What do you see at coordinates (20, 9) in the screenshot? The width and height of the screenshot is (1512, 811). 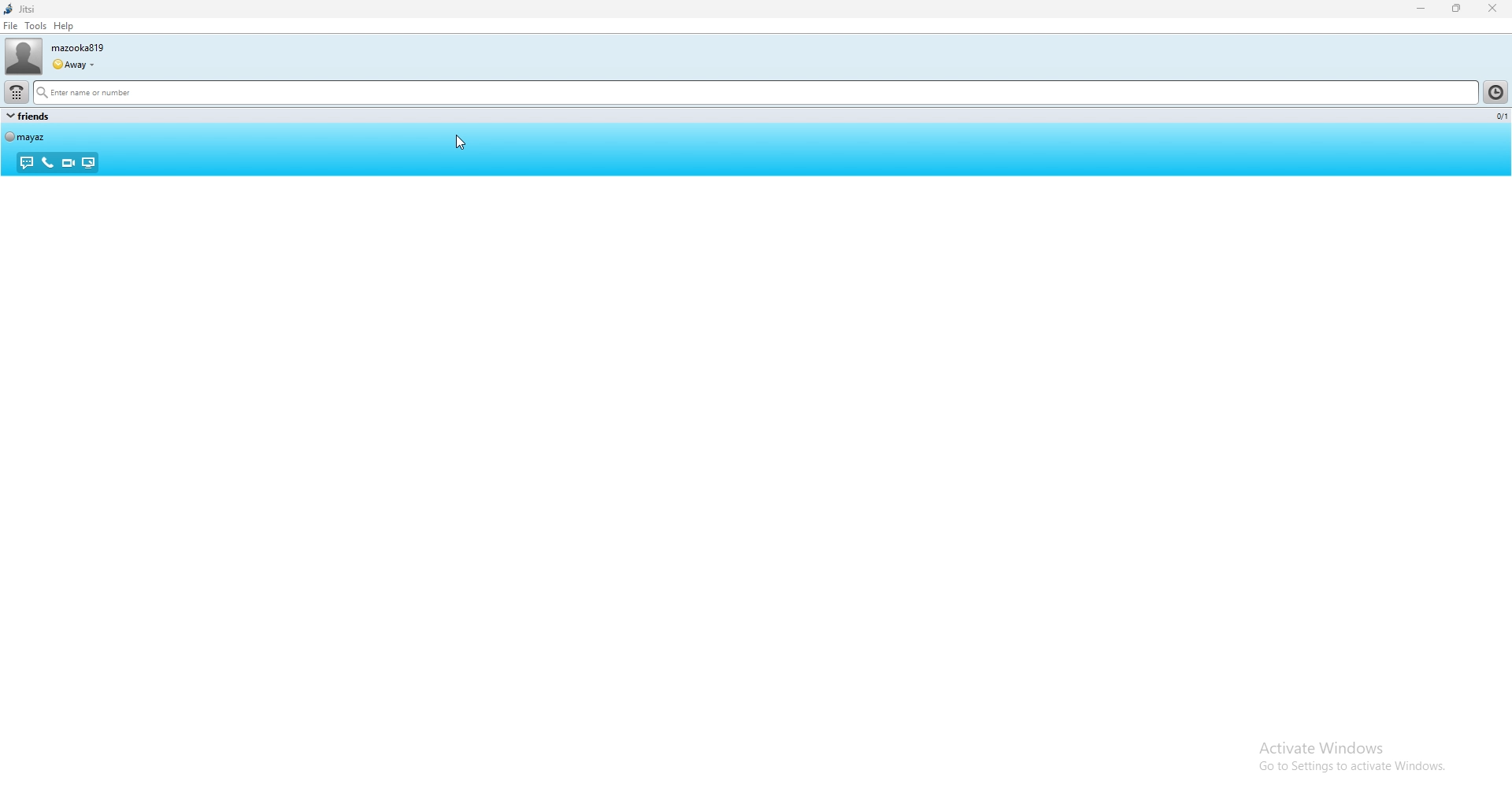 I see `jitsi` at bounding box center [20, 9].